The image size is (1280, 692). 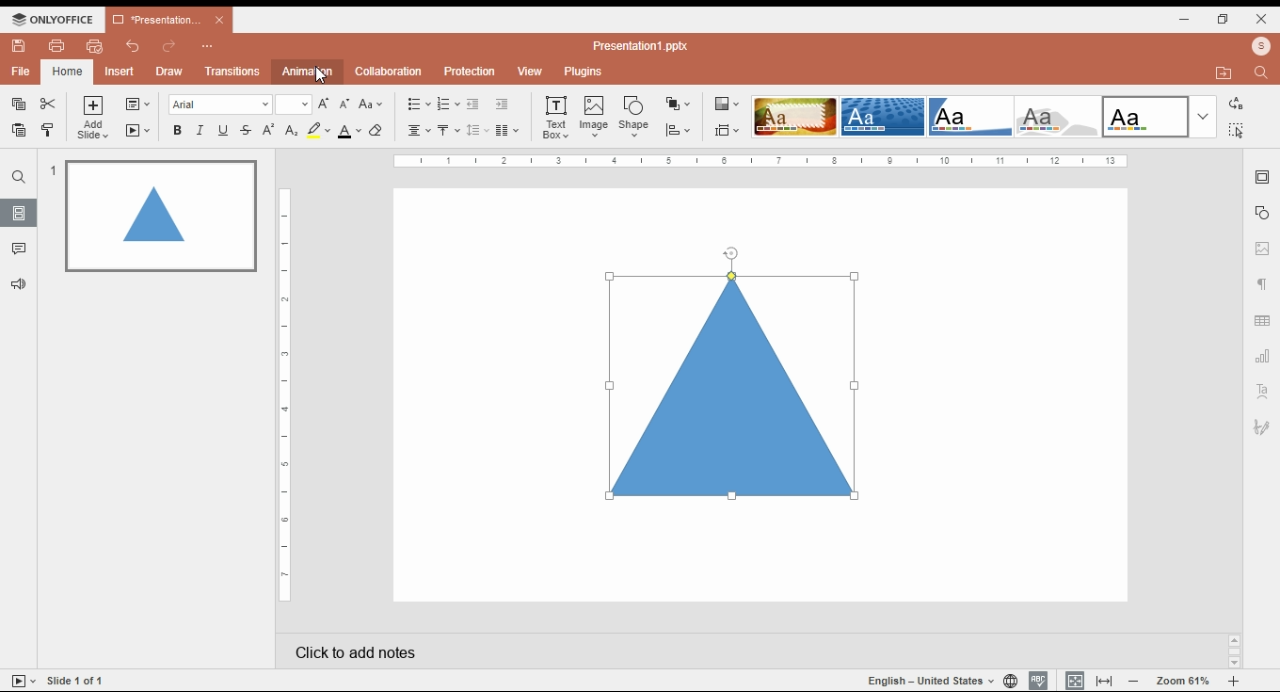 I want to click on replace, so click(x=1235, y=103).